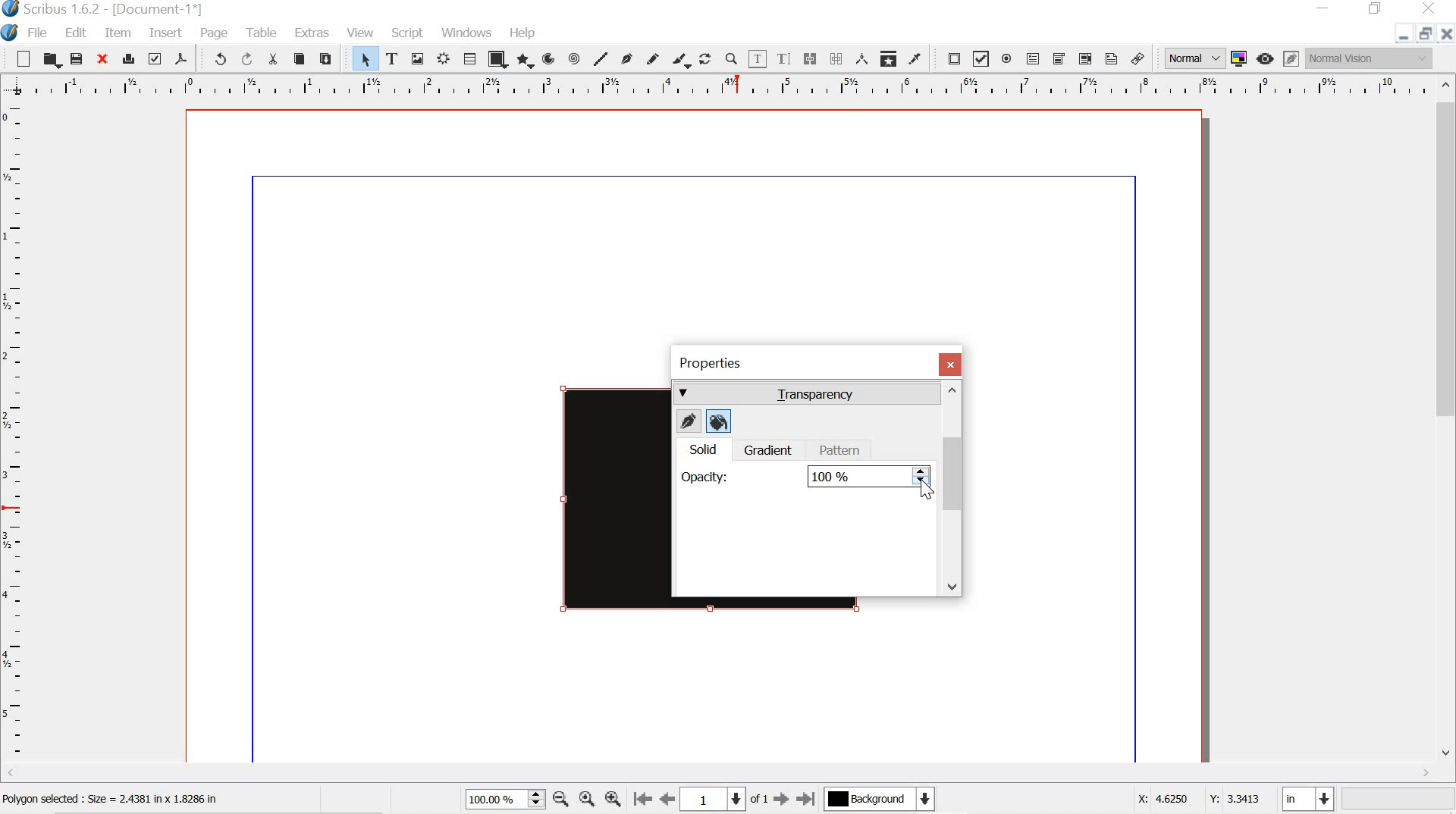  Describe the element at coordinates (951, 58) in the screenshot. I see `pdf push button` at that location.